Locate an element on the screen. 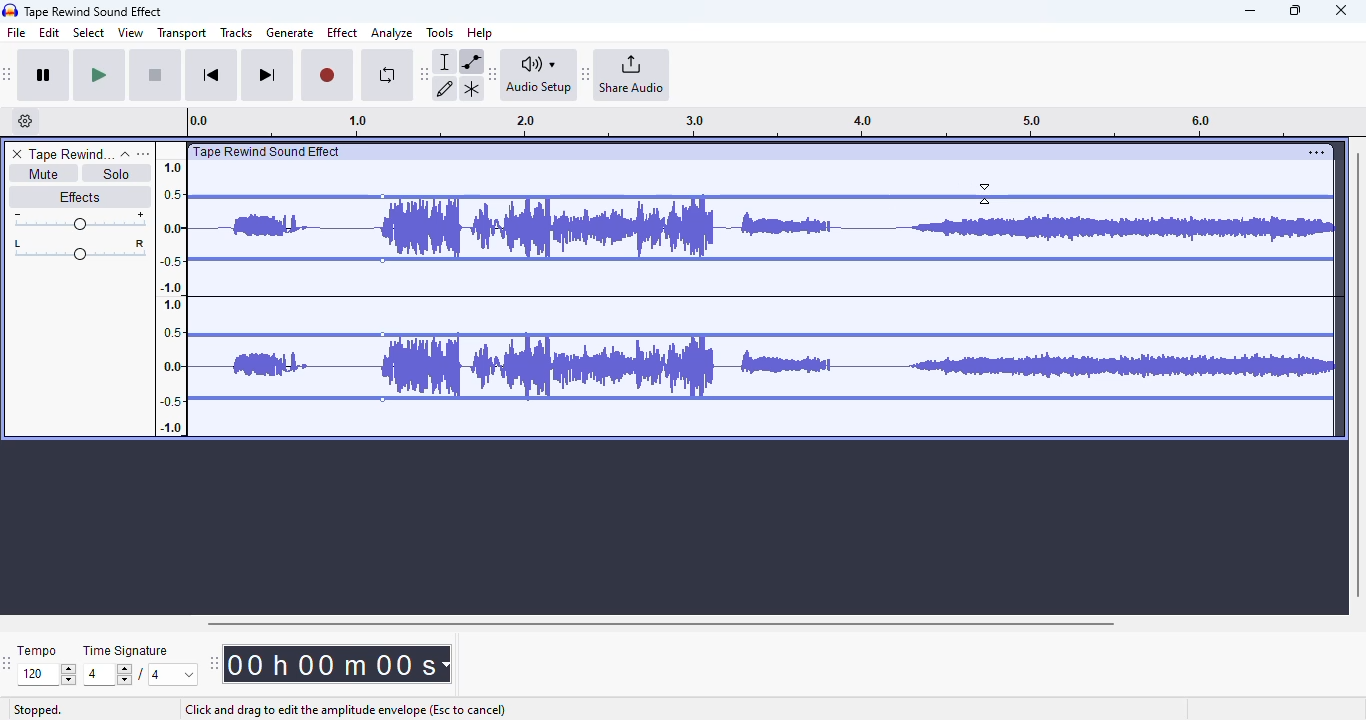 This screenshot has width=1366, height=720. view is located at coordinates (131, 33).